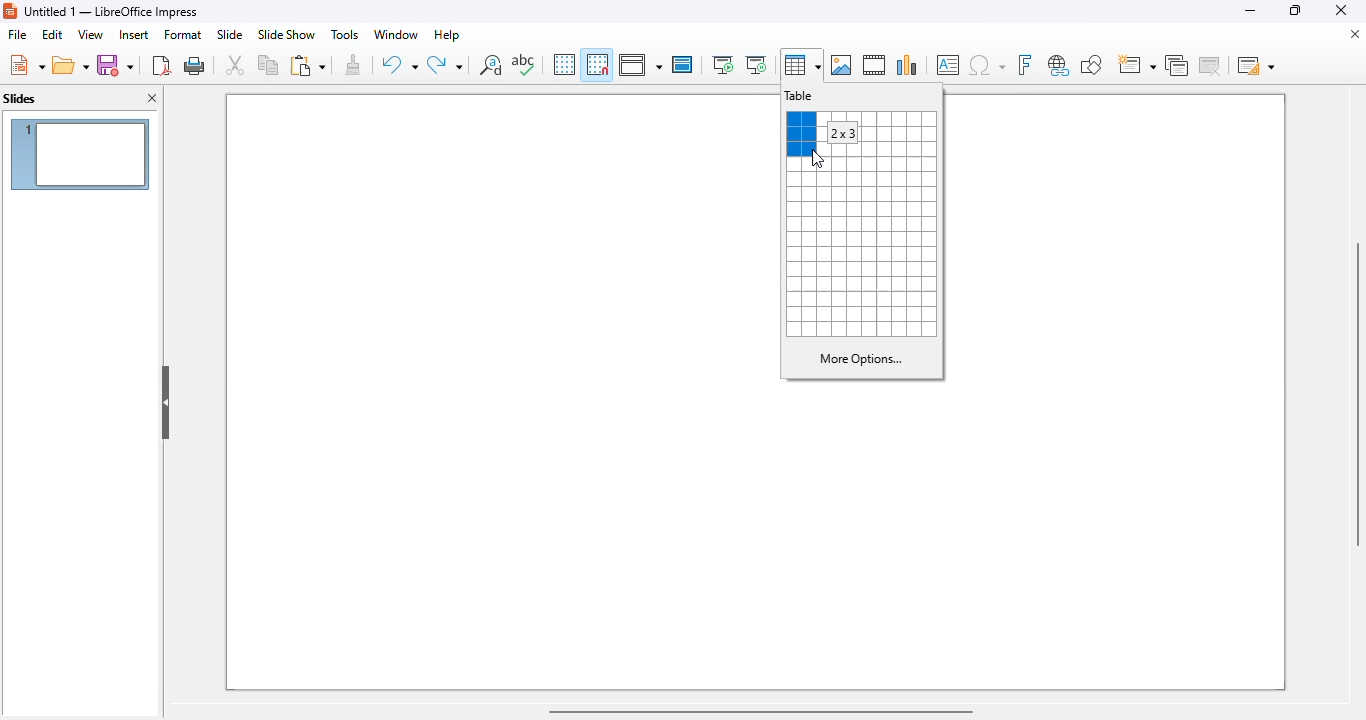 This screenshot has height=720, width=1366. What do you see at coordinates (759, 712) in the screenshot?
I see `horizontal scroll bar` at bounding box center [759, 712].